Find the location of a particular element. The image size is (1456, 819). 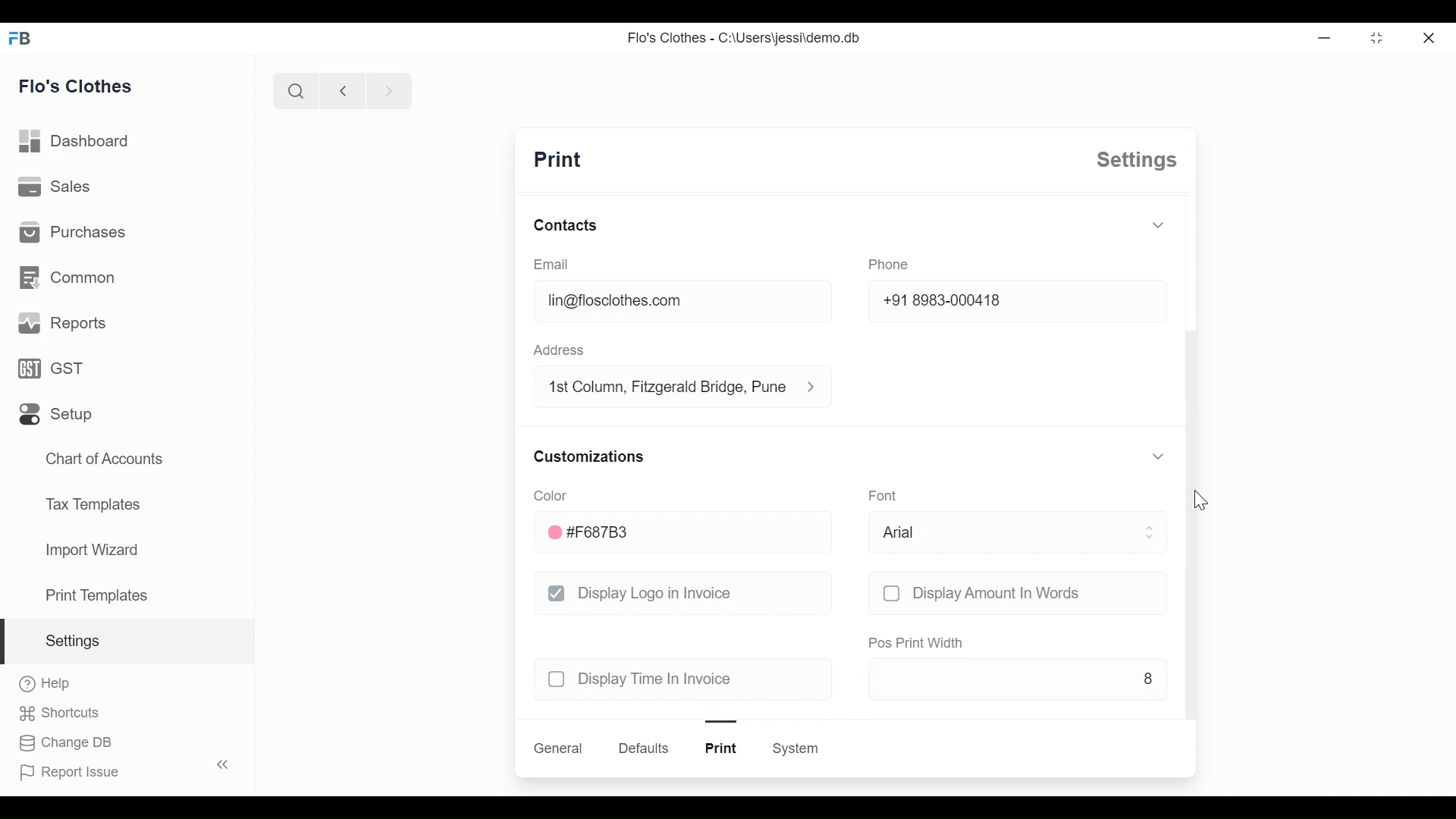

pos print width is located at coordinates (916, 644).